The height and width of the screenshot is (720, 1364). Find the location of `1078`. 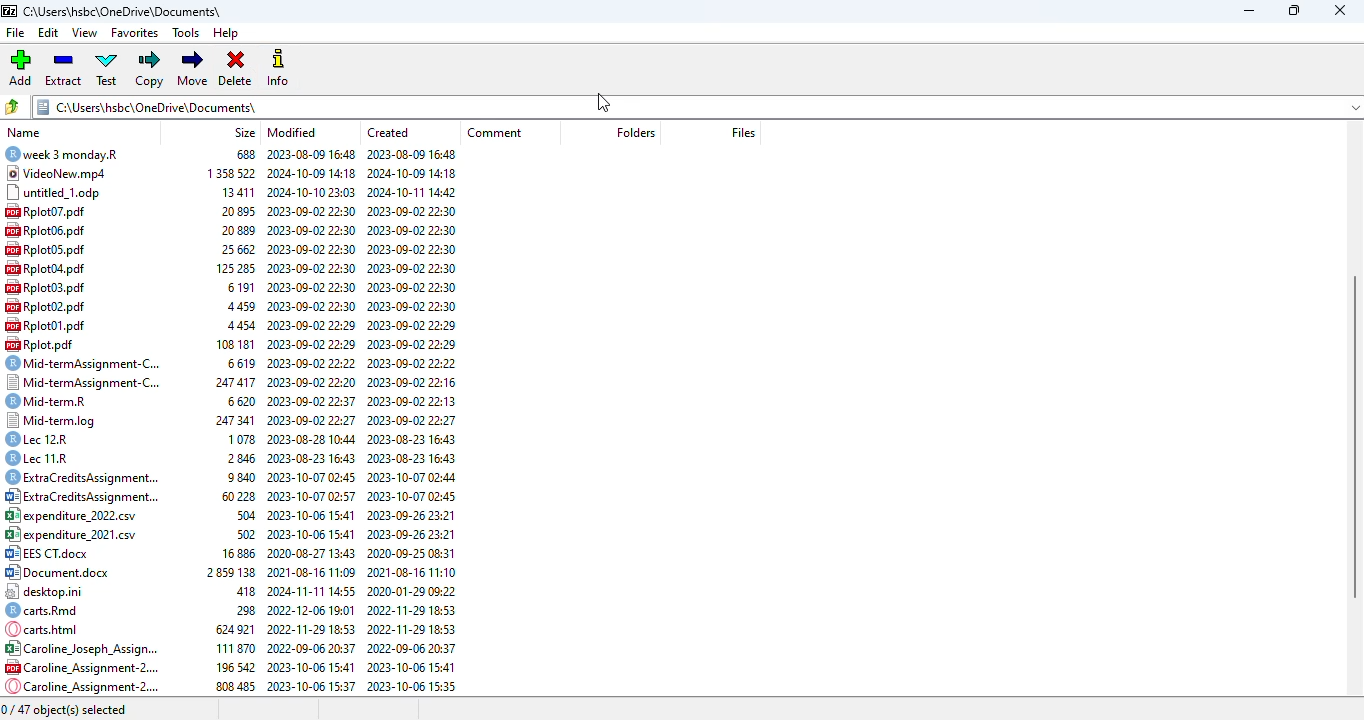

1078 is located at coordinates (237, 441).